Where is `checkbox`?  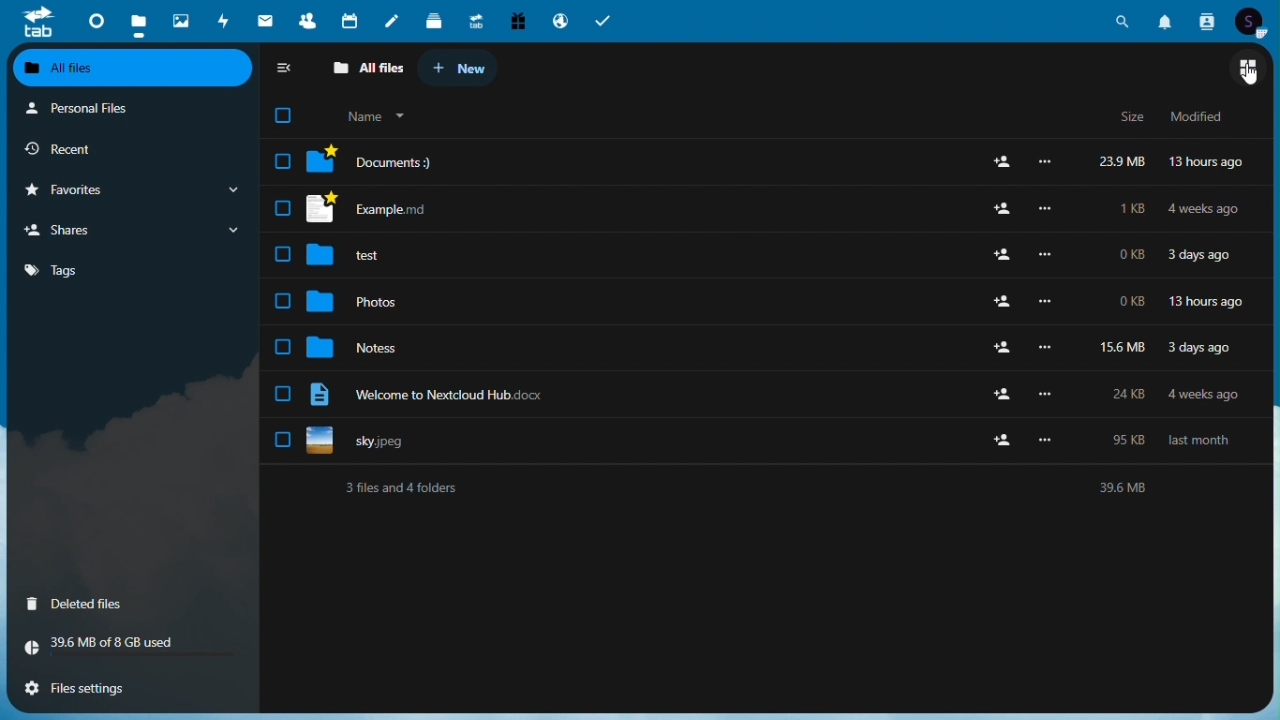
checkbox is located at coordinates (282, 395).